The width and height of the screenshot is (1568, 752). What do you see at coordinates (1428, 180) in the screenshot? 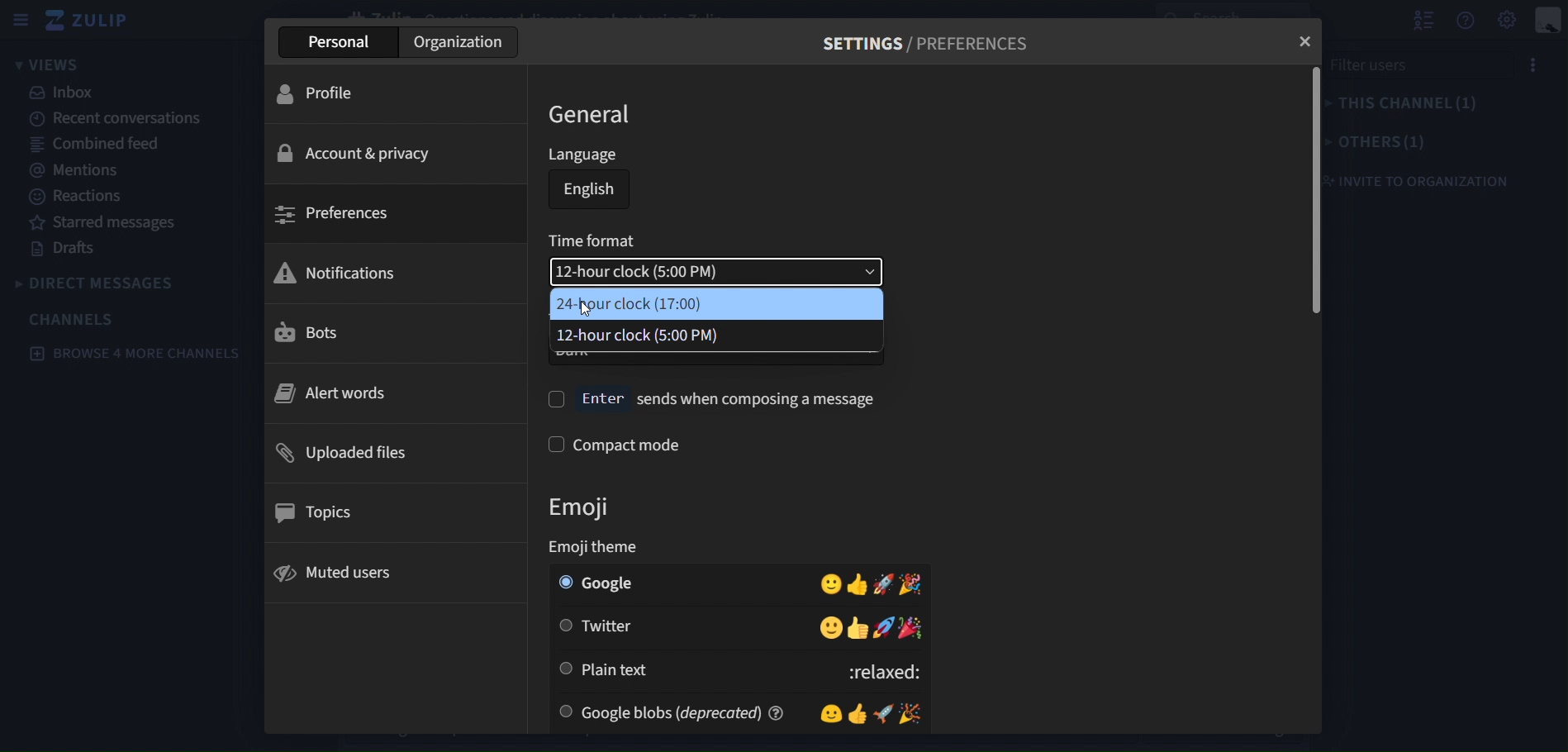
I see `invite to organization` at bounding box center [1428, 180].